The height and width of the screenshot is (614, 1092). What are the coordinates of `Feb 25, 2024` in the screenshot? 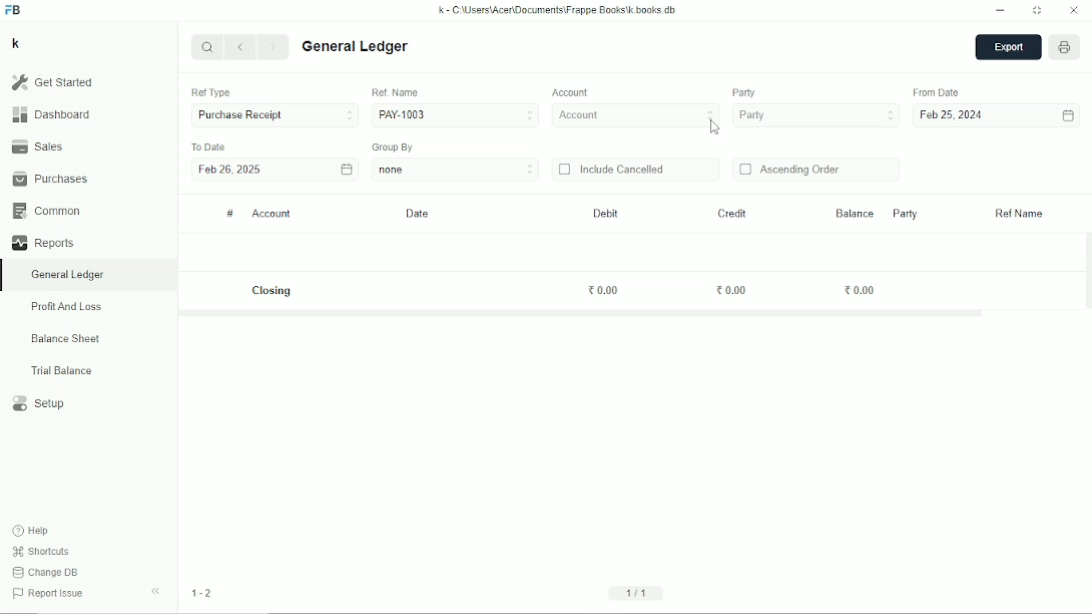 It's located at (953, 116).